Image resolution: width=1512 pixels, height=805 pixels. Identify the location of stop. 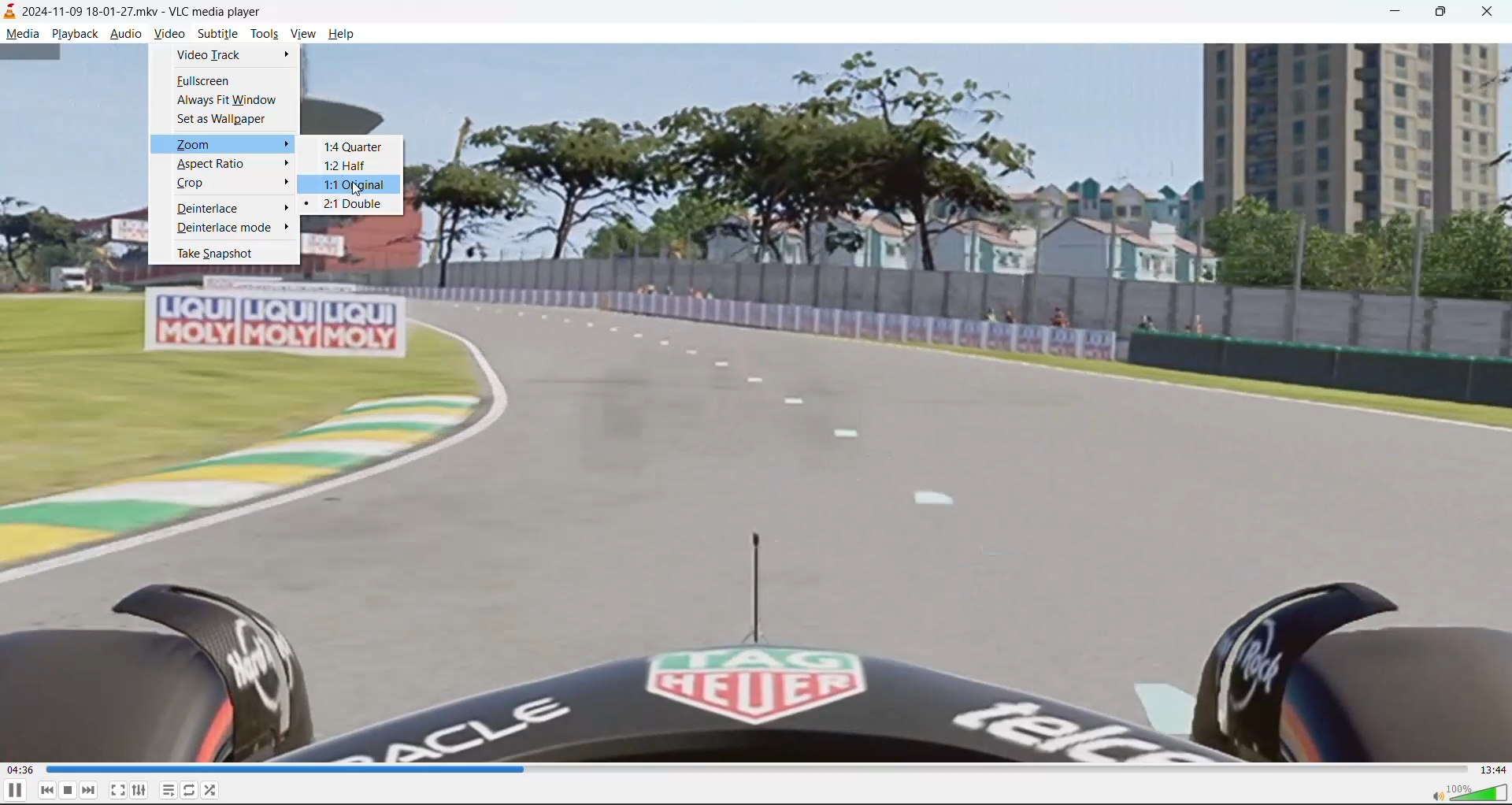
(66, 791).